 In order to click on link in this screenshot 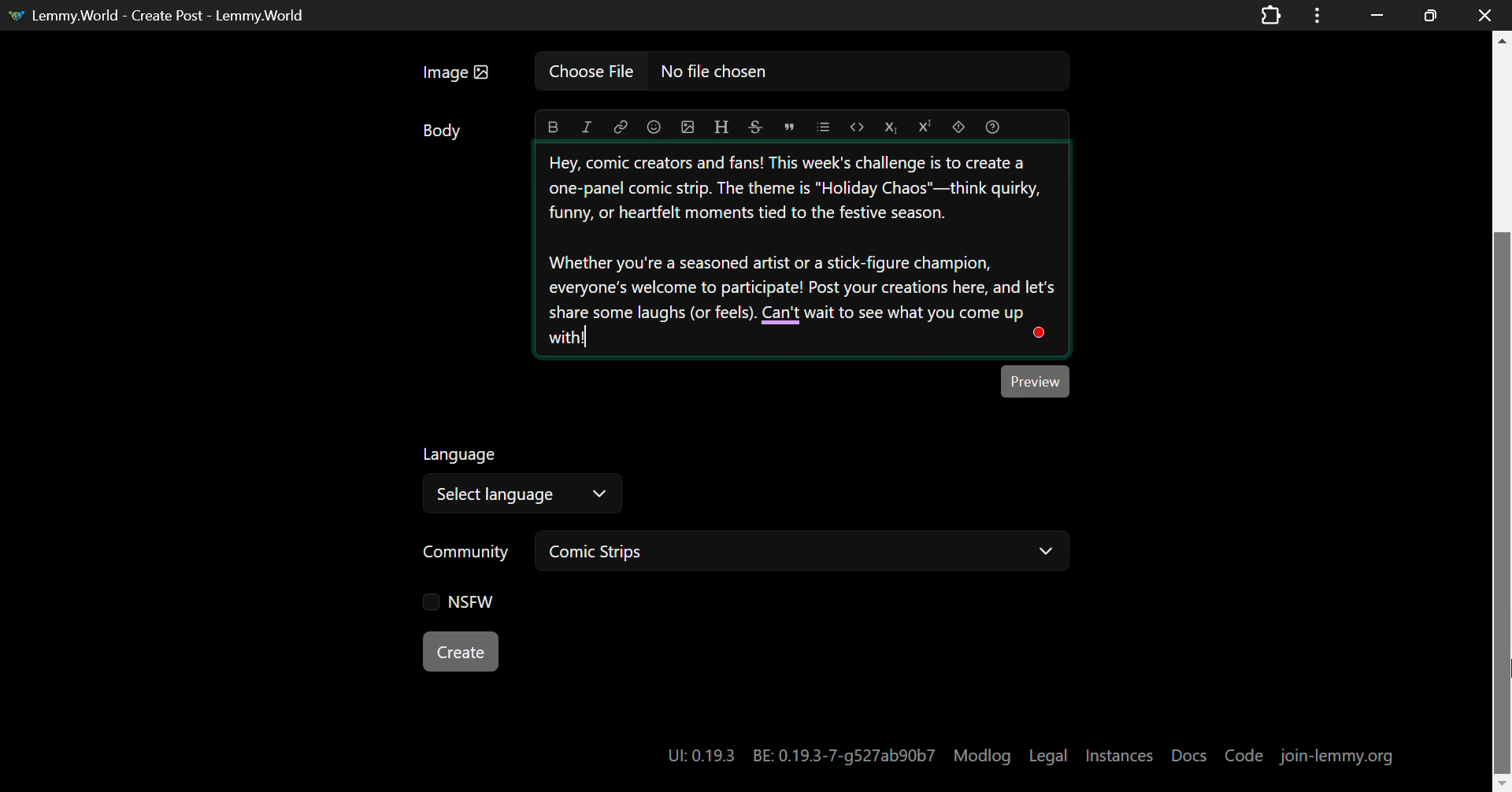, I will do `click(621, 128)`.